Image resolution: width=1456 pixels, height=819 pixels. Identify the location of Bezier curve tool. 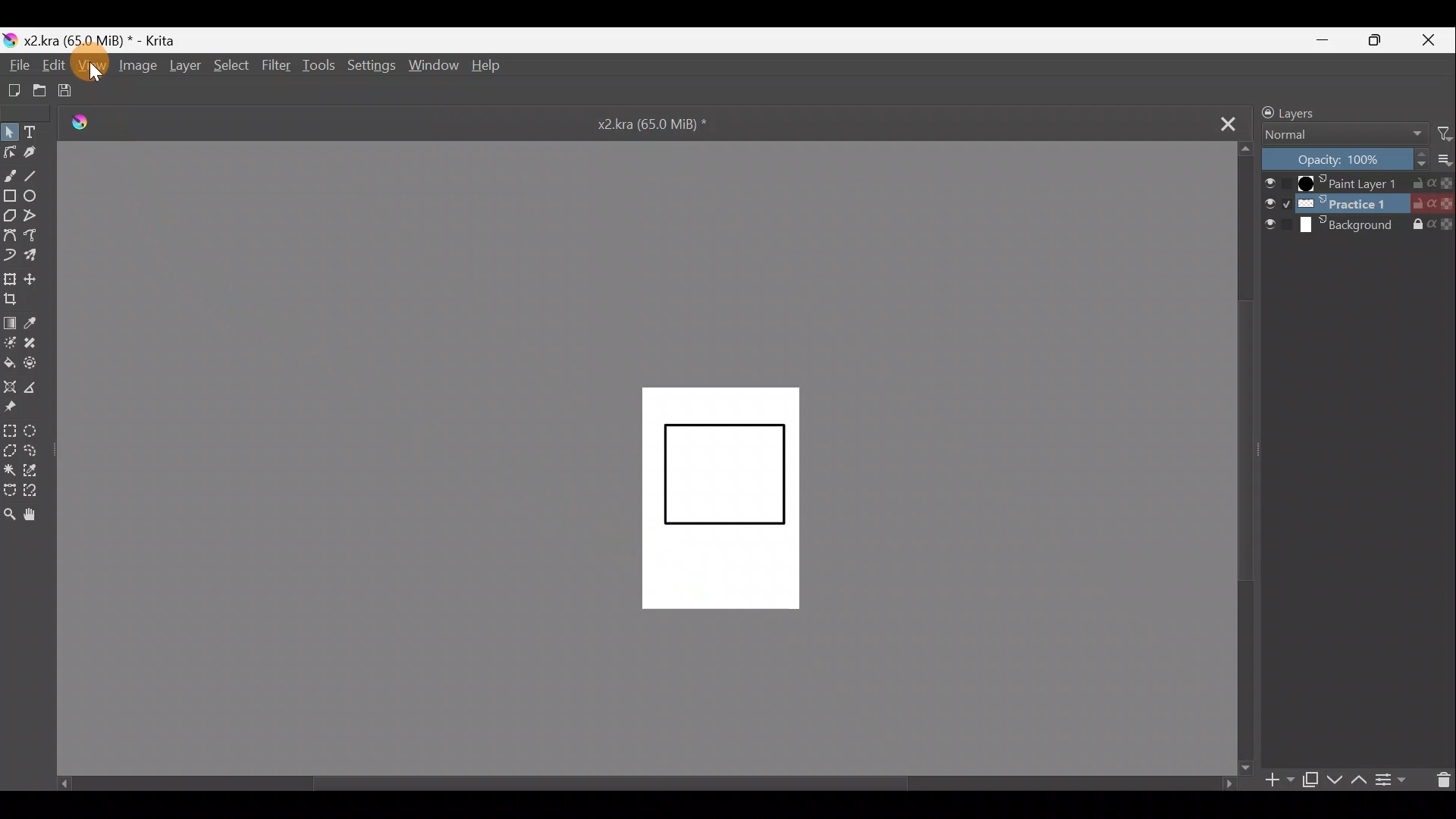
(9, 234).